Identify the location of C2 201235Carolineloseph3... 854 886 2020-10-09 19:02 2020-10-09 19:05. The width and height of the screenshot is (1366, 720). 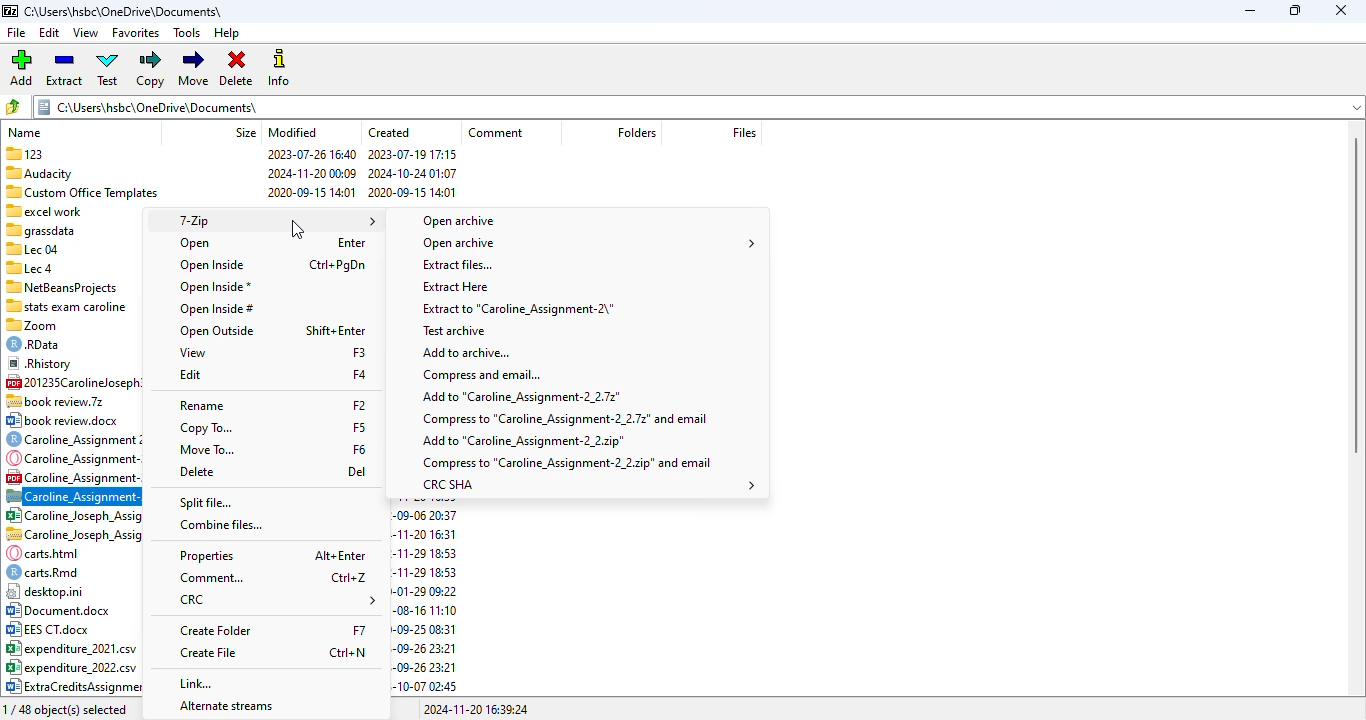
(72, 381).